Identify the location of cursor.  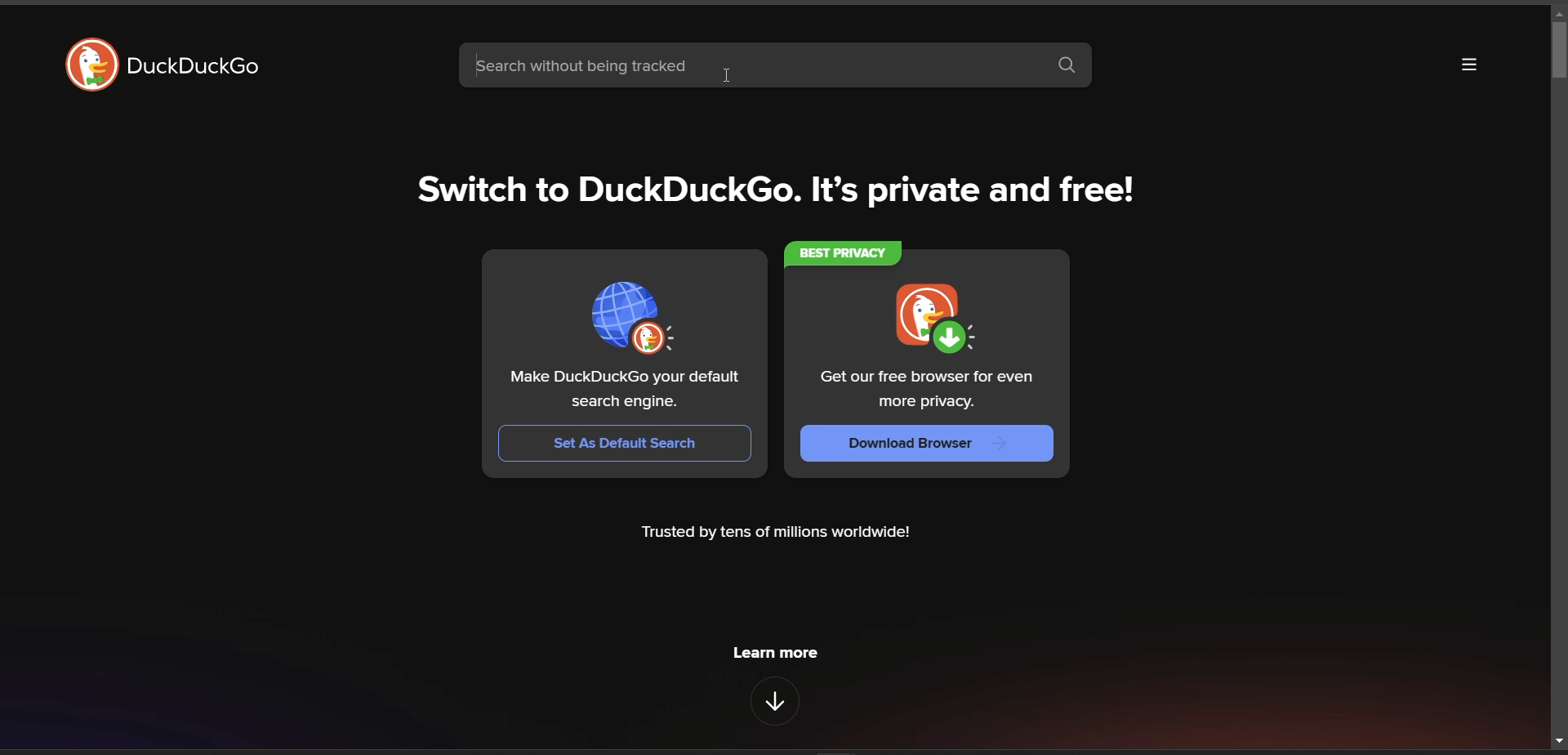
(728, 74).